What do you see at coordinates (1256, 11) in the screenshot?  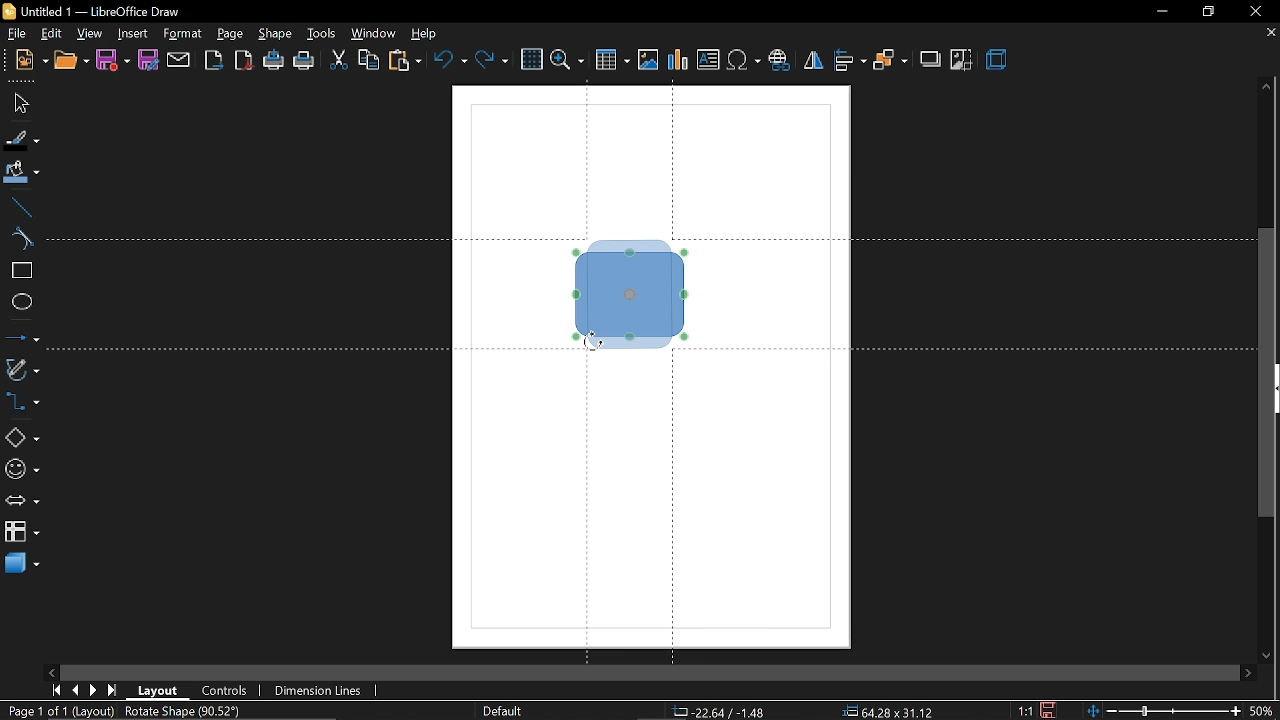 I see `close` at bounding box center [1256, 11].